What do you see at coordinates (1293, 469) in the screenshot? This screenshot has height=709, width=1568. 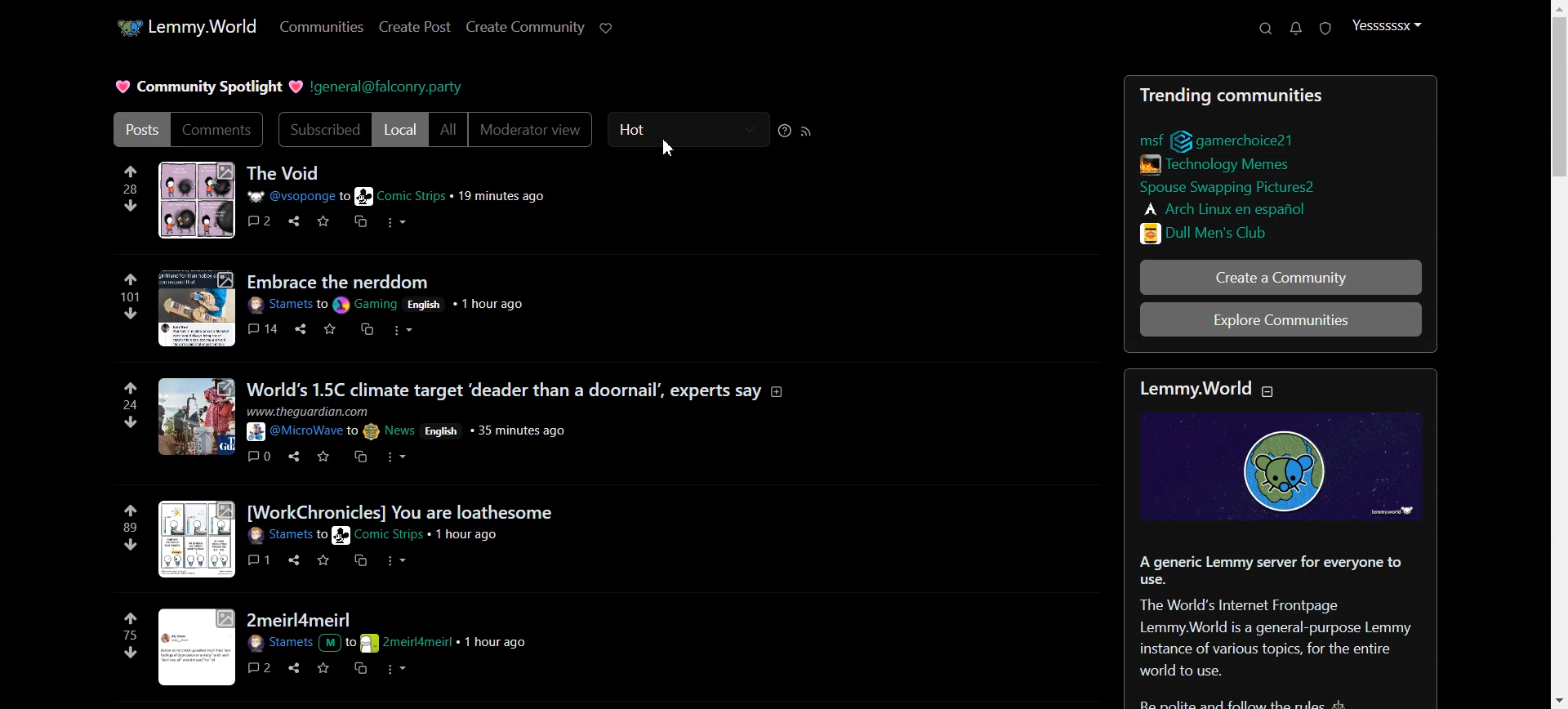 I see `image` at bounding box center [1293, 469].